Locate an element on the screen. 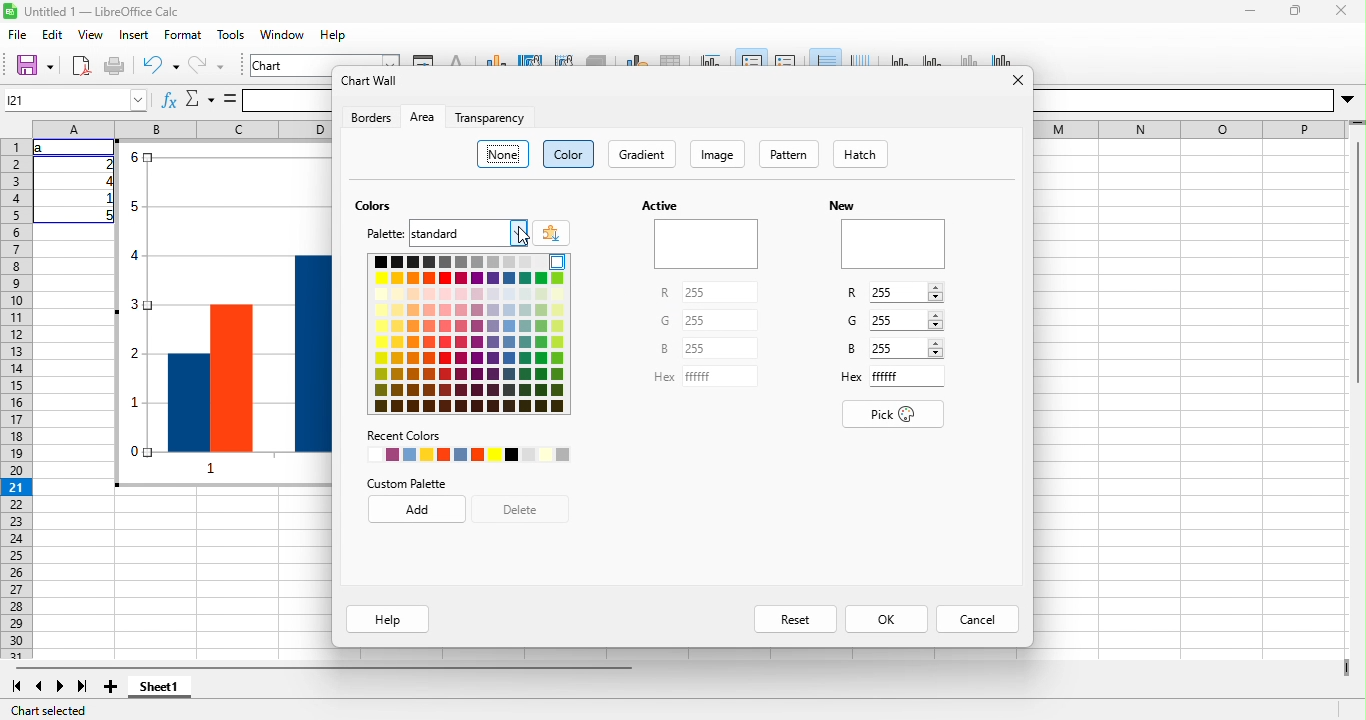 This screenshot has height=720, width=1366. Input for palette is located at coordinates (469, 233).